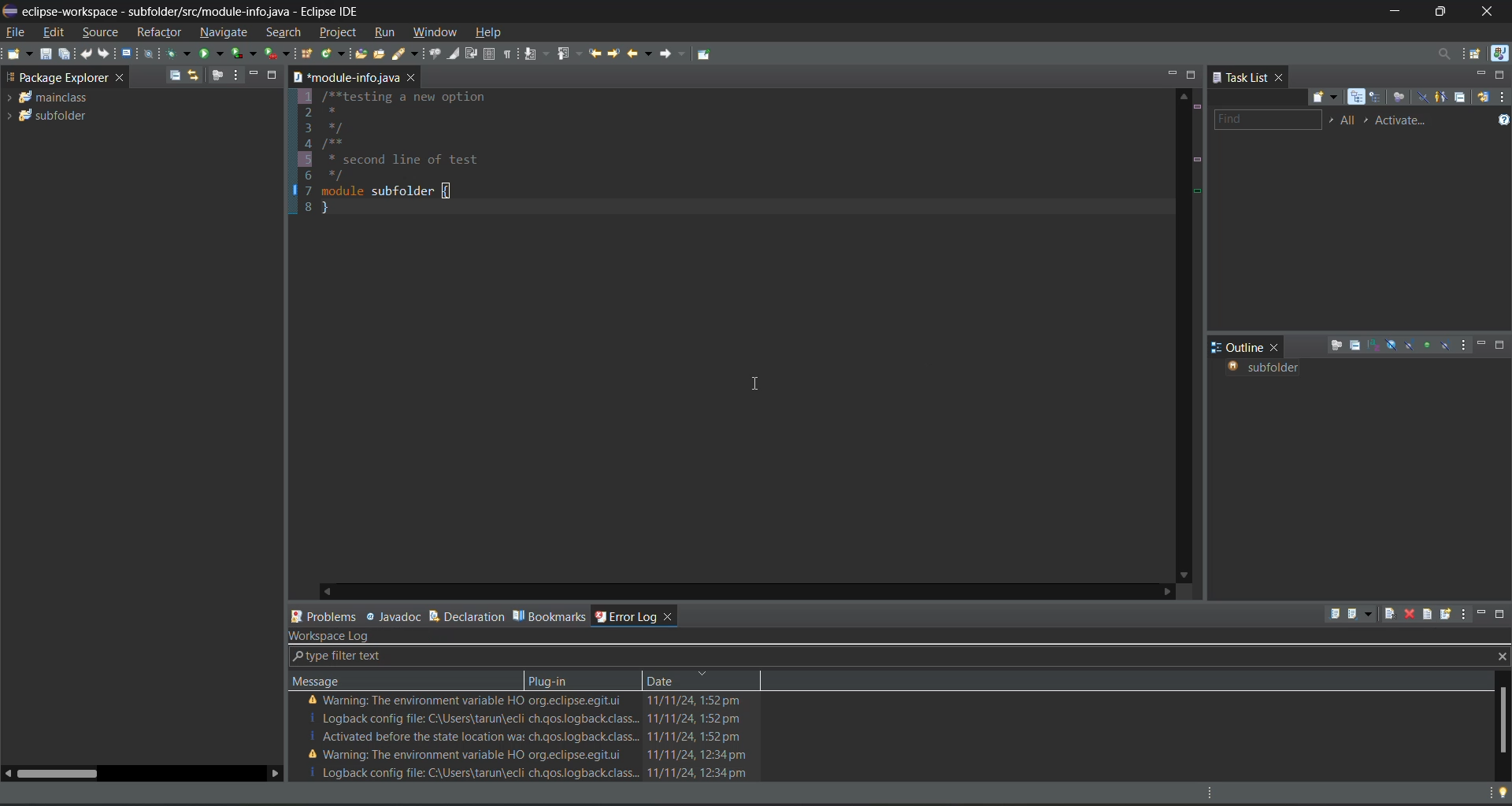 This screenshot has height=806, width=1512. What do you see at coordinates (535, 52) in the screenshot?
I see `next annotation` at bounding box center [535, 52].